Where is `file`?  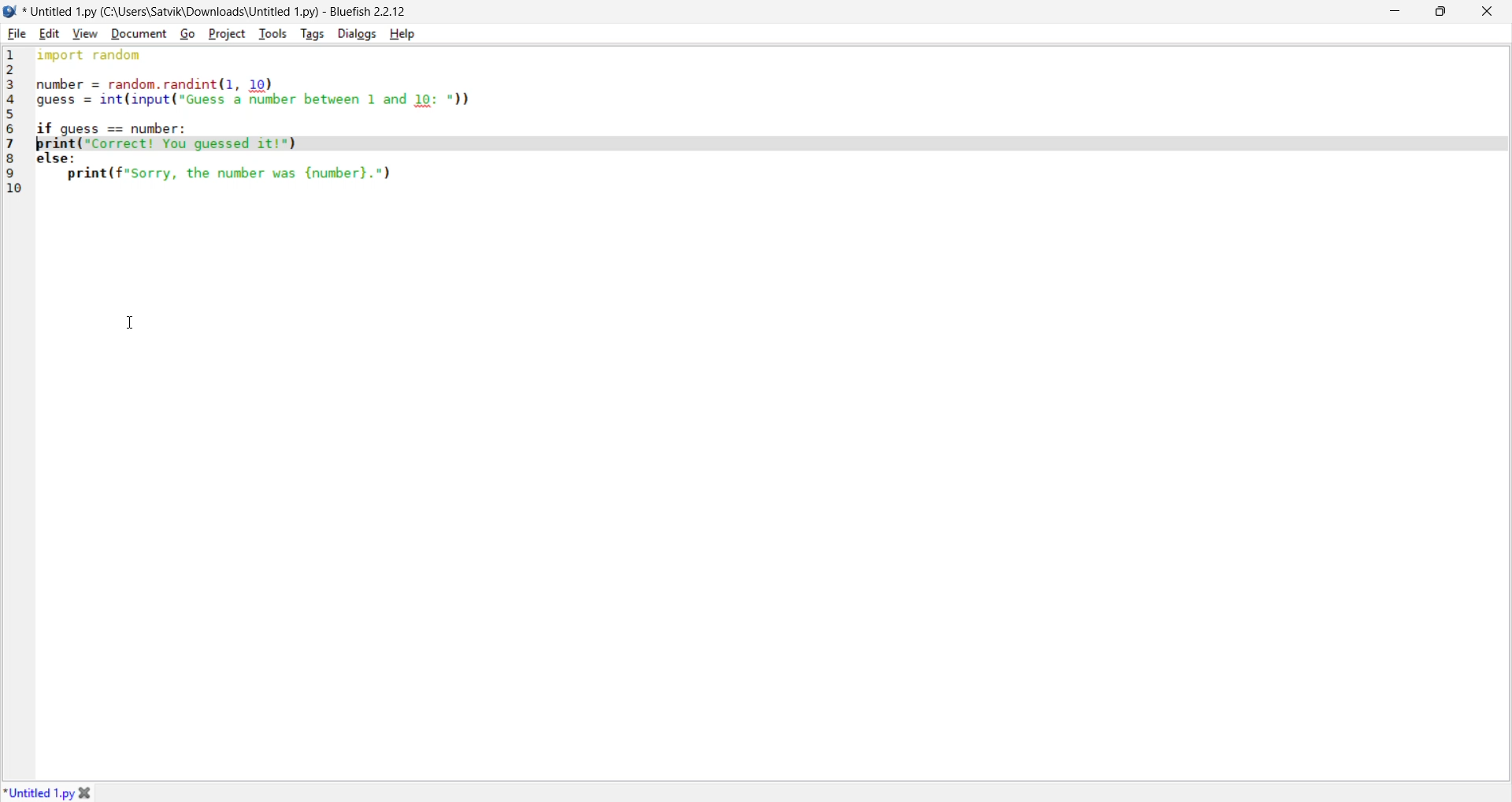
file is located at coordinates (18, 33).